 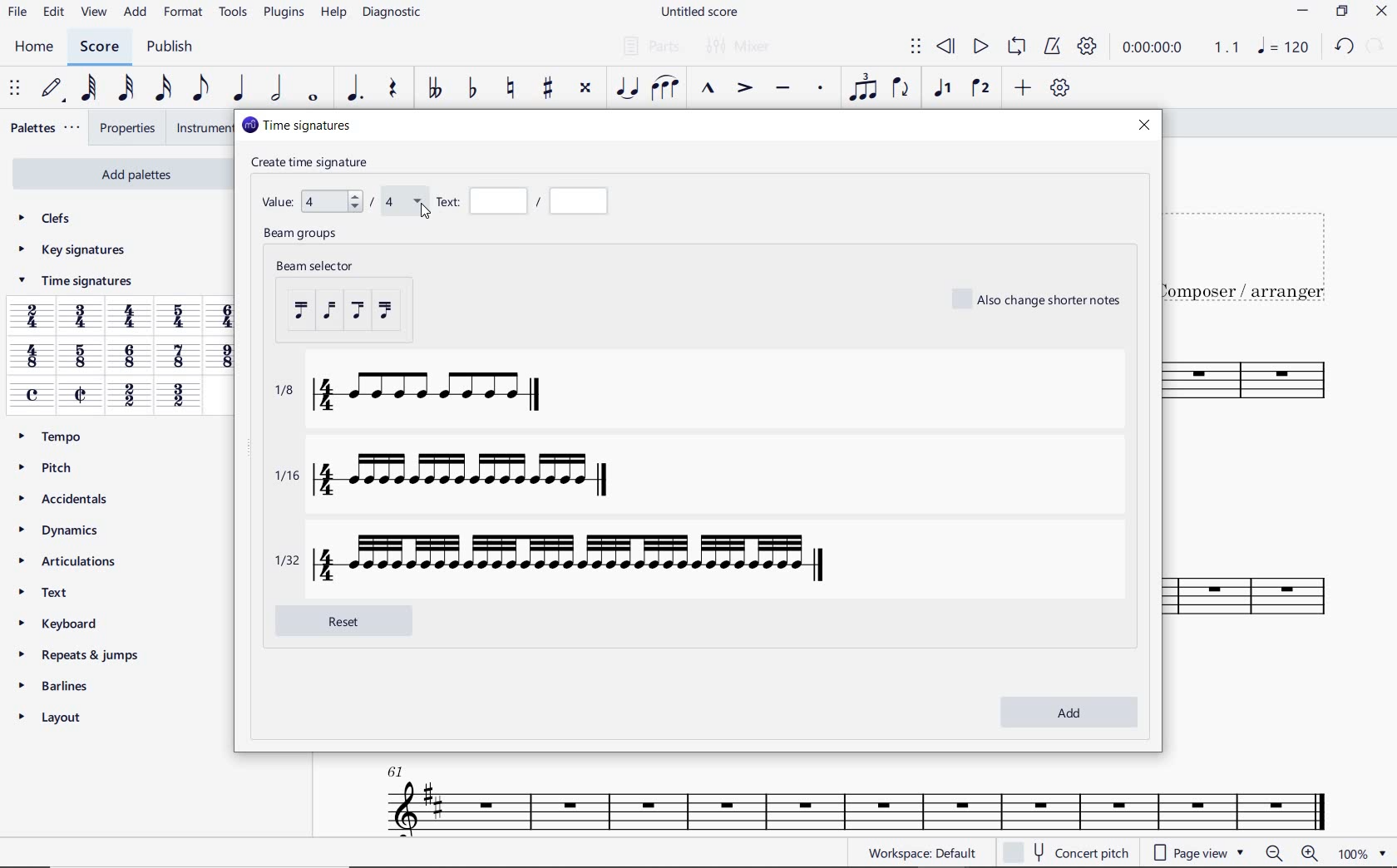 What do you see at coordinates (1376, 45) in the screenshot?
I see `REDO` at bounding box center [1376, 45].